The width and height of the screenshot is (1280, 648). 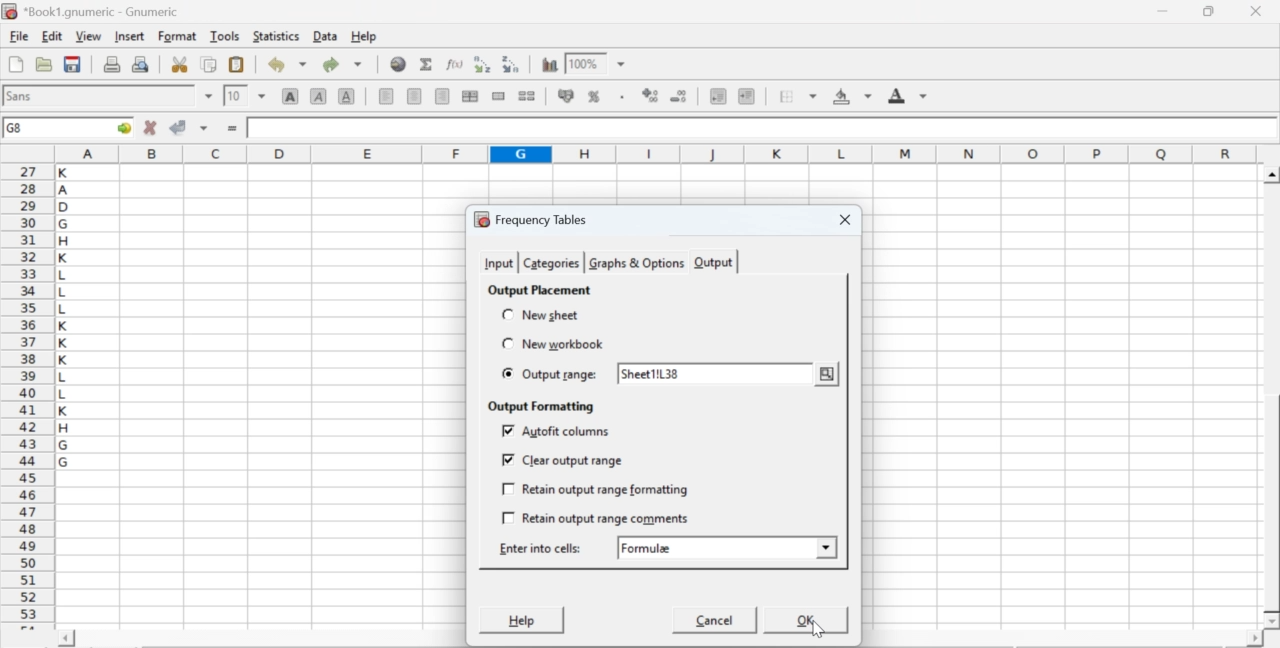 What do you see at coordinates (828, 373) in the screenshot?
I see `more` at bounding box center [828, 373].